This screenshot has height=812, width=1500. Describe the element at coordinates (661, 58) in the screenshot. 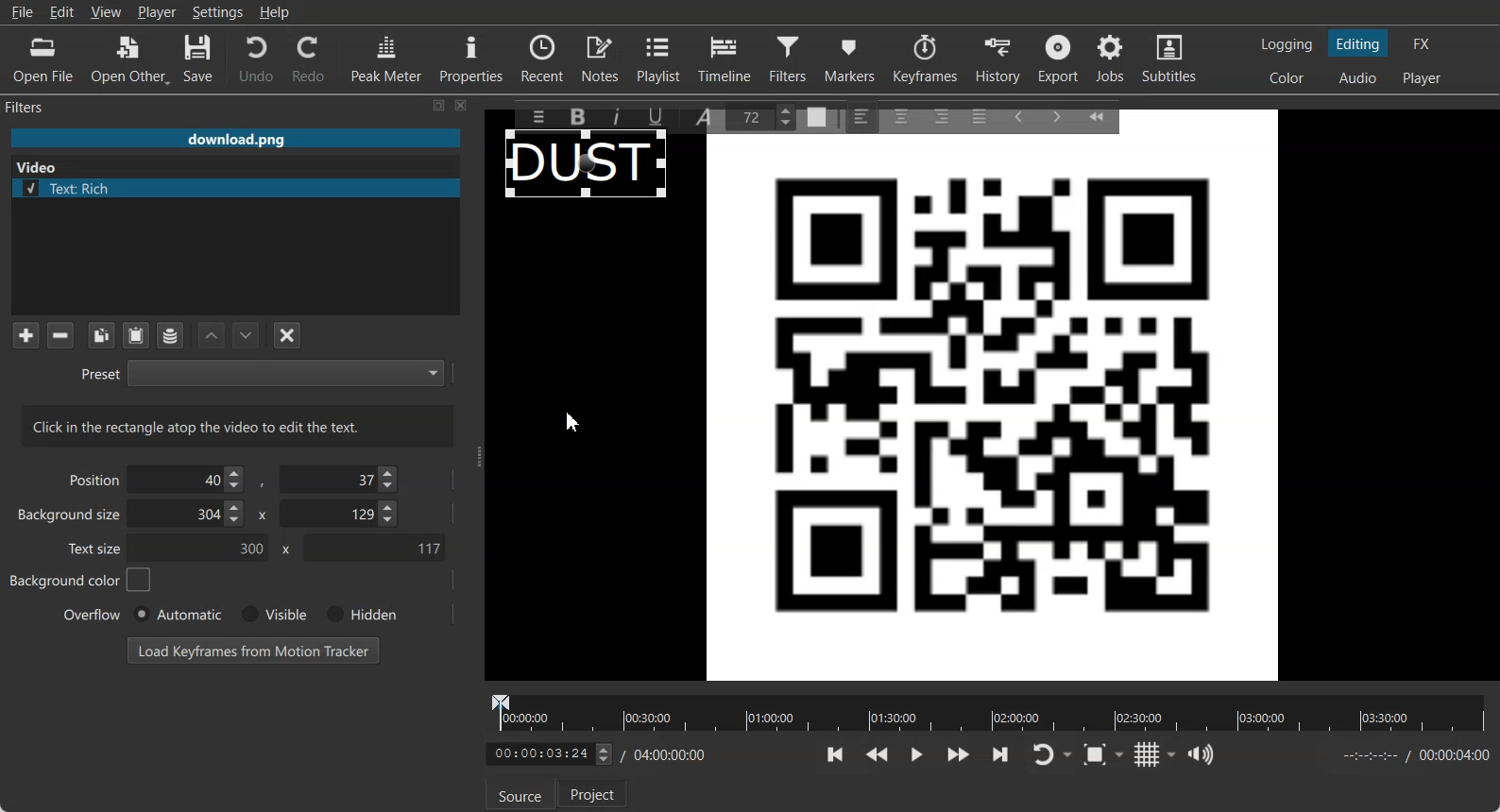

I see `Playlist` at that location.